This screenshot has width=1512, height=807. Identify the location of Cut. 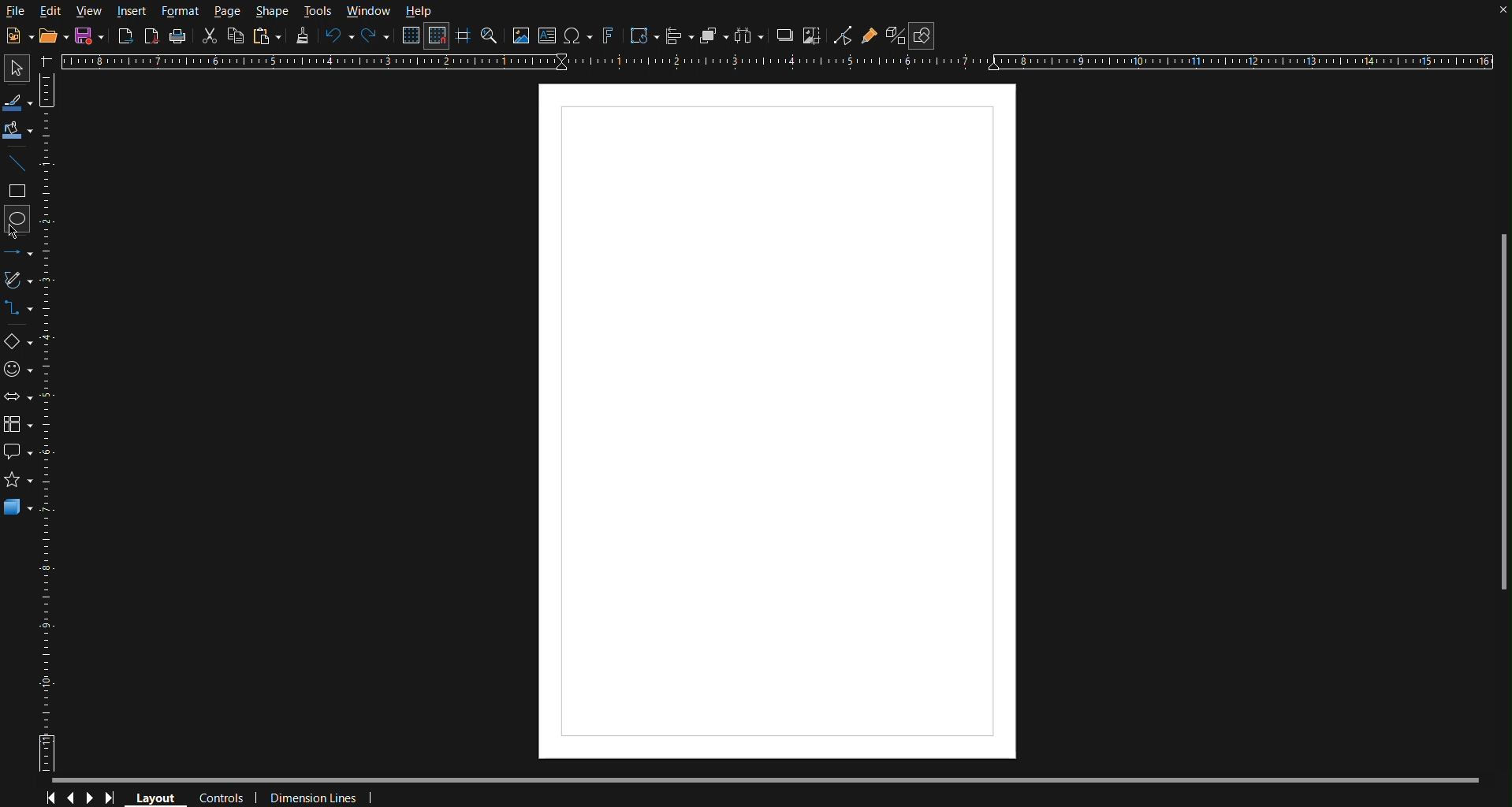
(211, 37).